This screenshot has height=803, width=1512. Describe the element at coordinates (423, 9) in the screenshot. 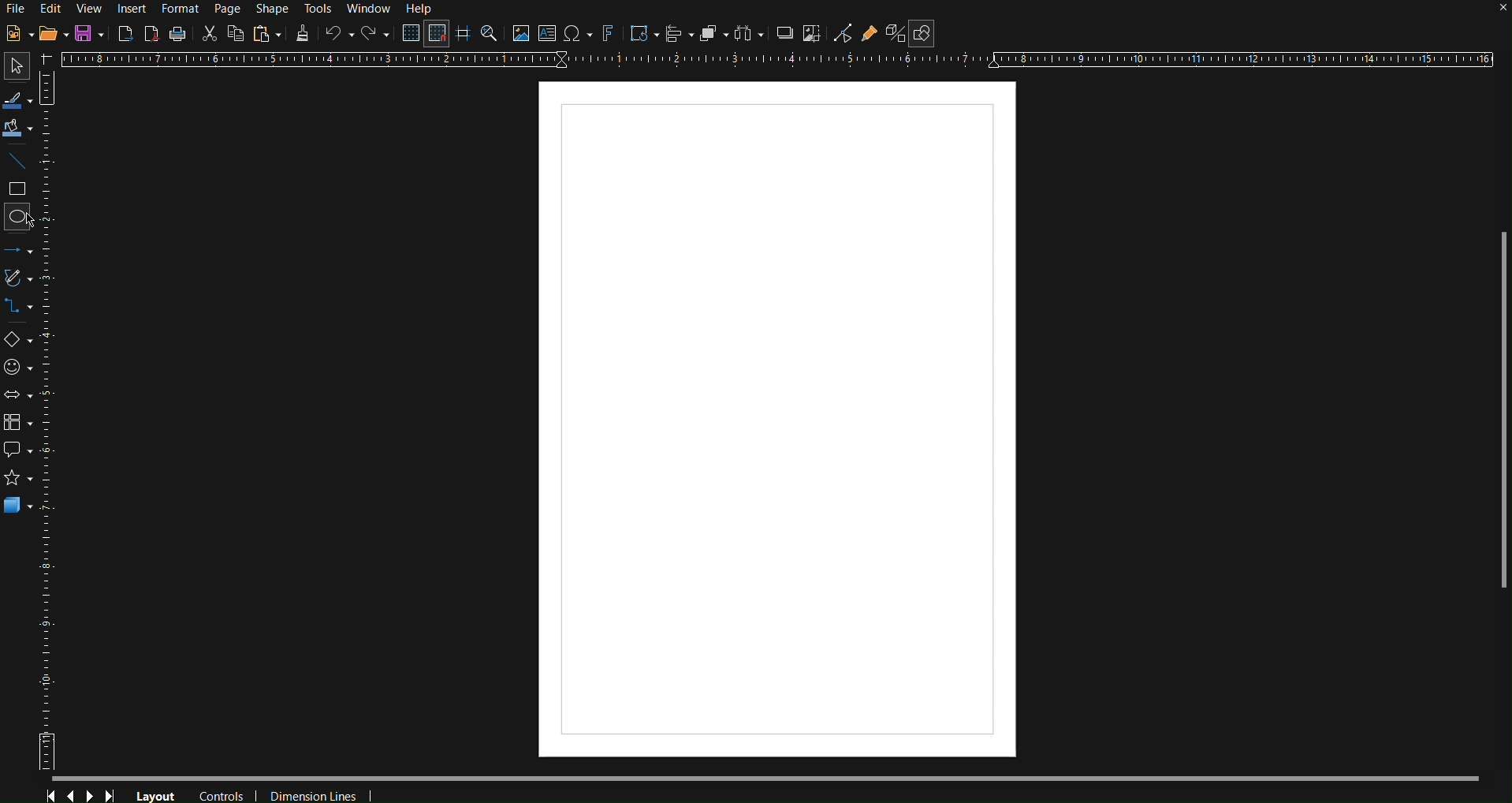

I see `Help` at that location.